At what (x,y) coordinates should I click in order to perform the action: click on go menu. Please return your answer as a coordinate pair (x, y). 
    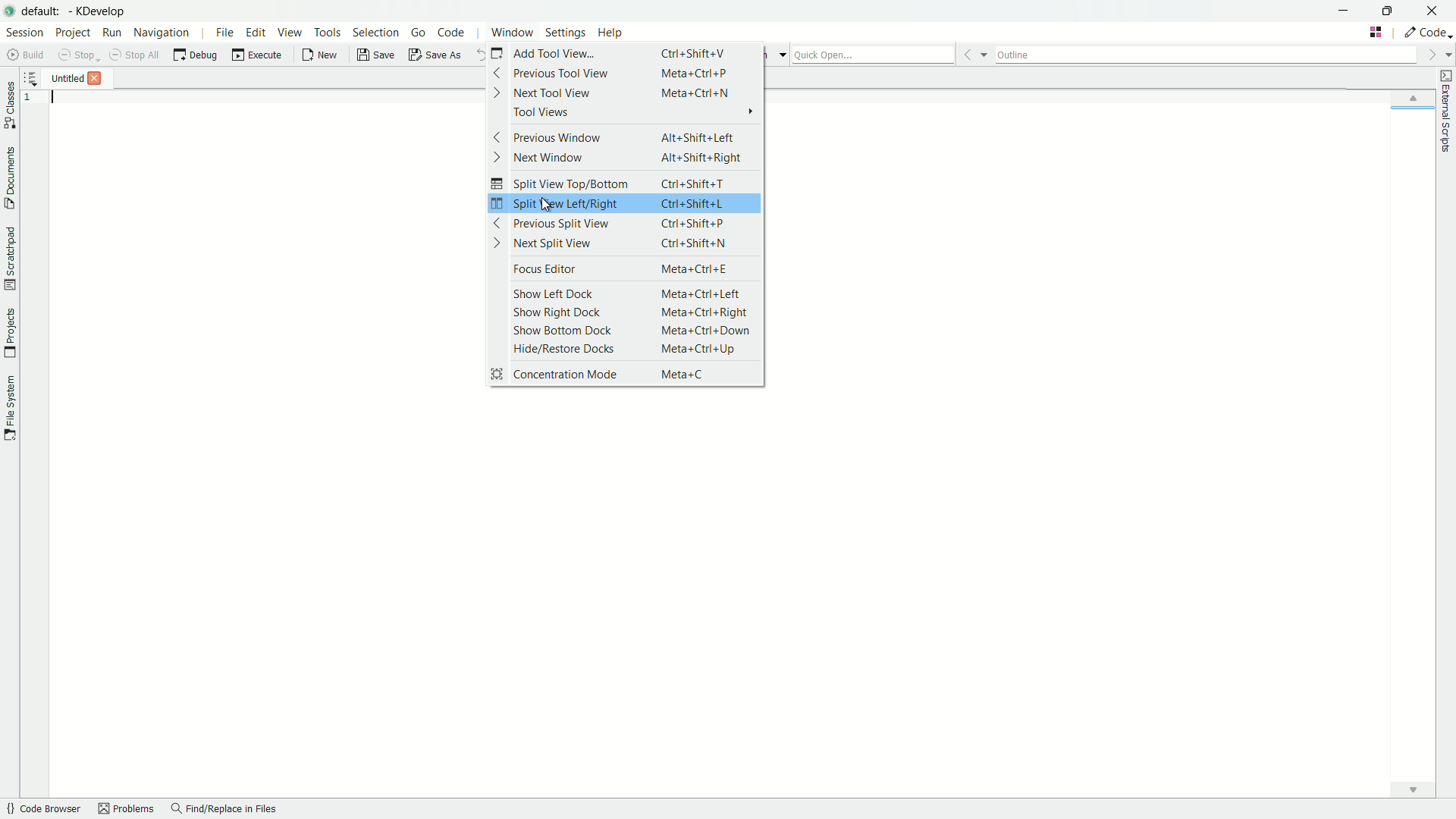
    Looking at the image, I should click on (419, 35).